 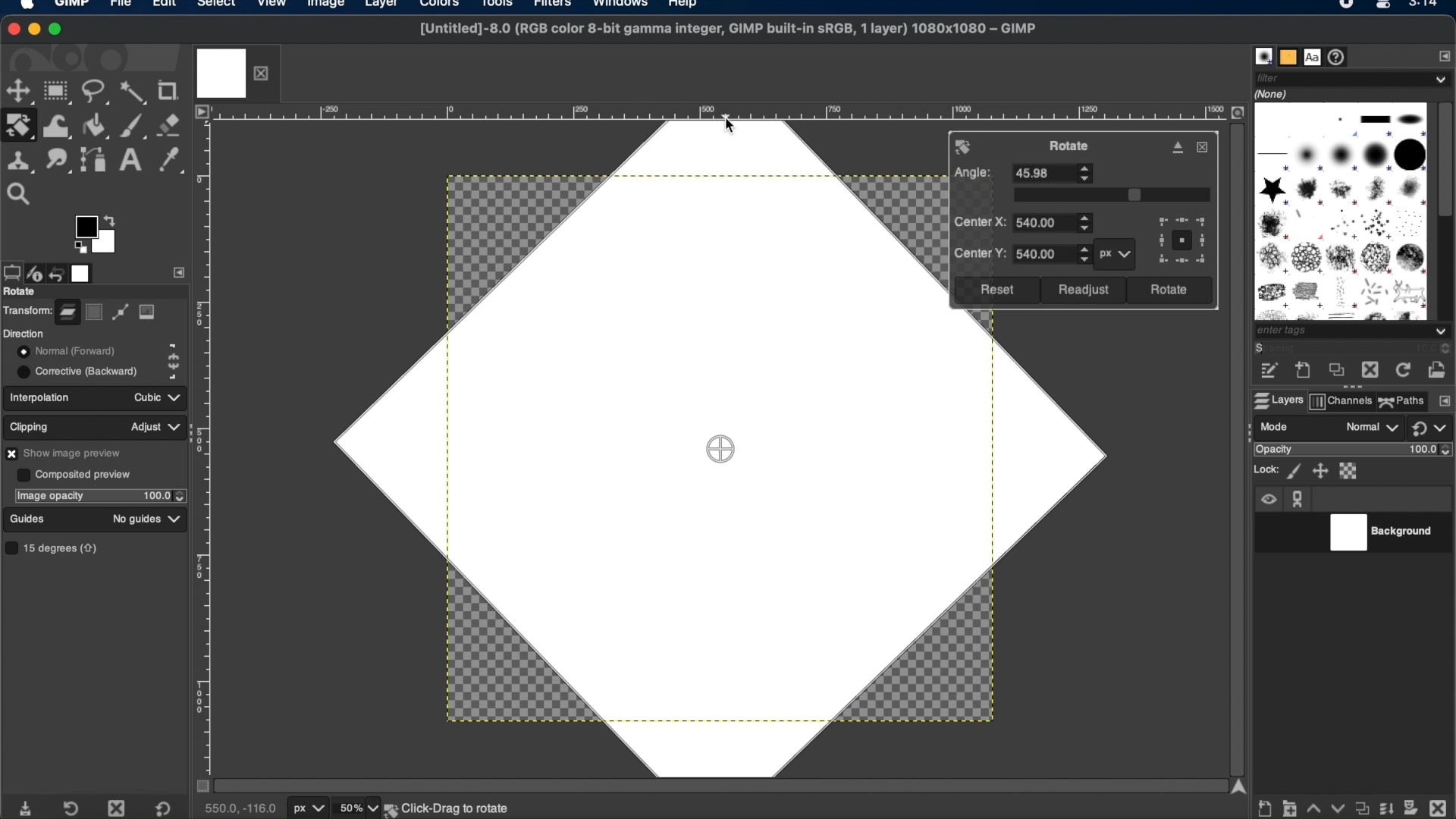 What do you see at coordinates (1351, 471) in the screenshot?
I see `lock alpha channel` at bounding box center [1351, 471].